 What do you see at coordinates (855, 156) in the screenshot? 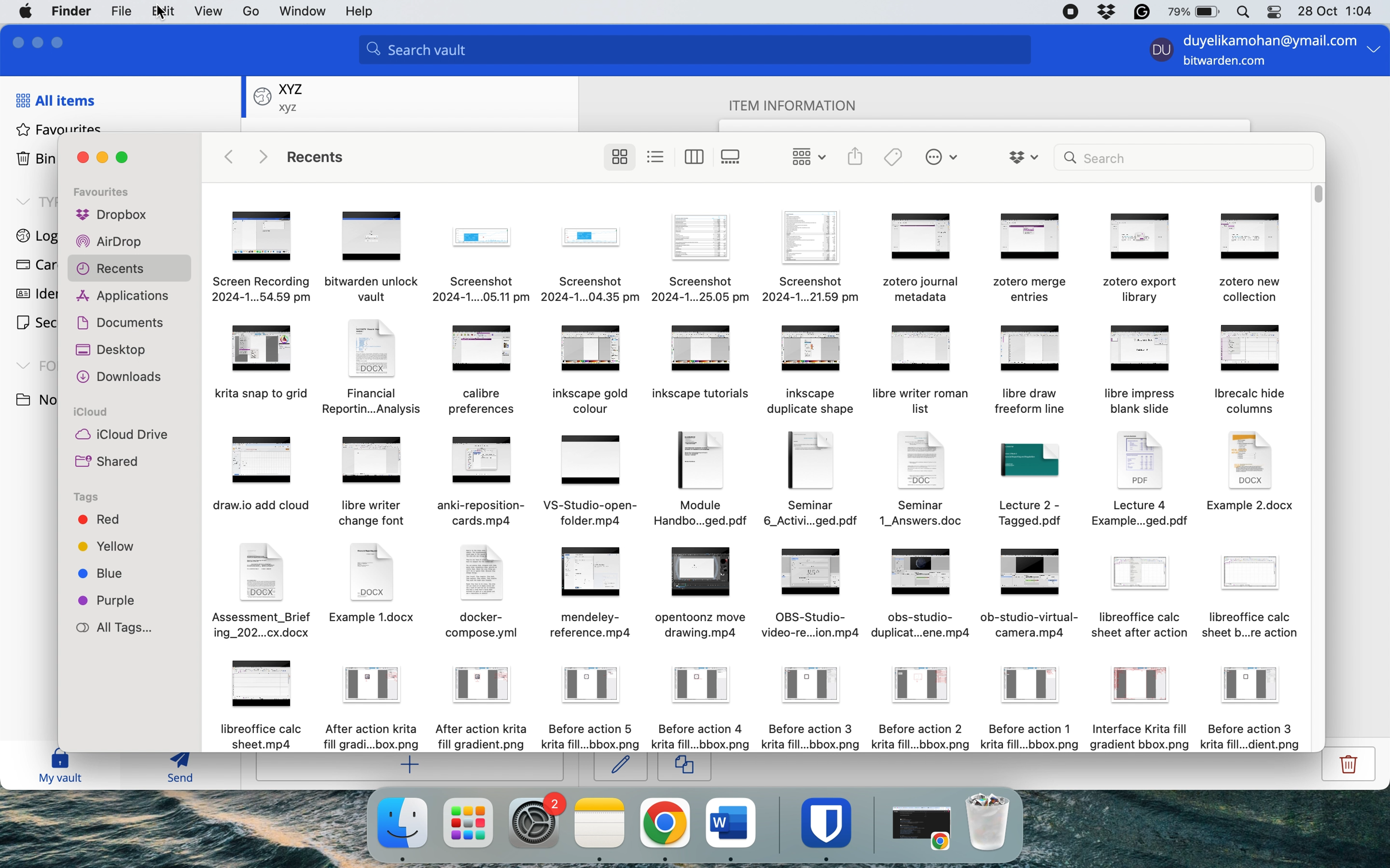
I see `share selected items` at bounding box center [855, 156].